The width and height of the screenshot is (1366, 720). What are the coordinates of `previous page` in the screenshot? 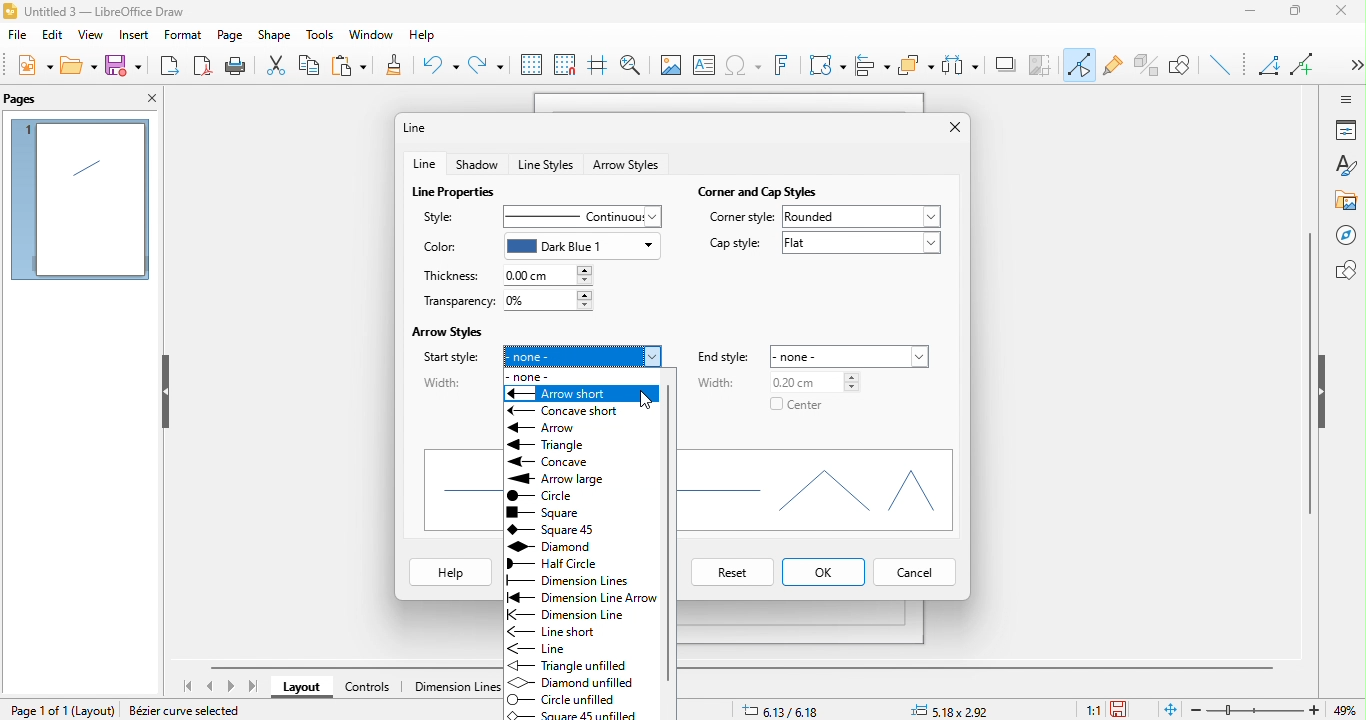 It's located at (212, 684).